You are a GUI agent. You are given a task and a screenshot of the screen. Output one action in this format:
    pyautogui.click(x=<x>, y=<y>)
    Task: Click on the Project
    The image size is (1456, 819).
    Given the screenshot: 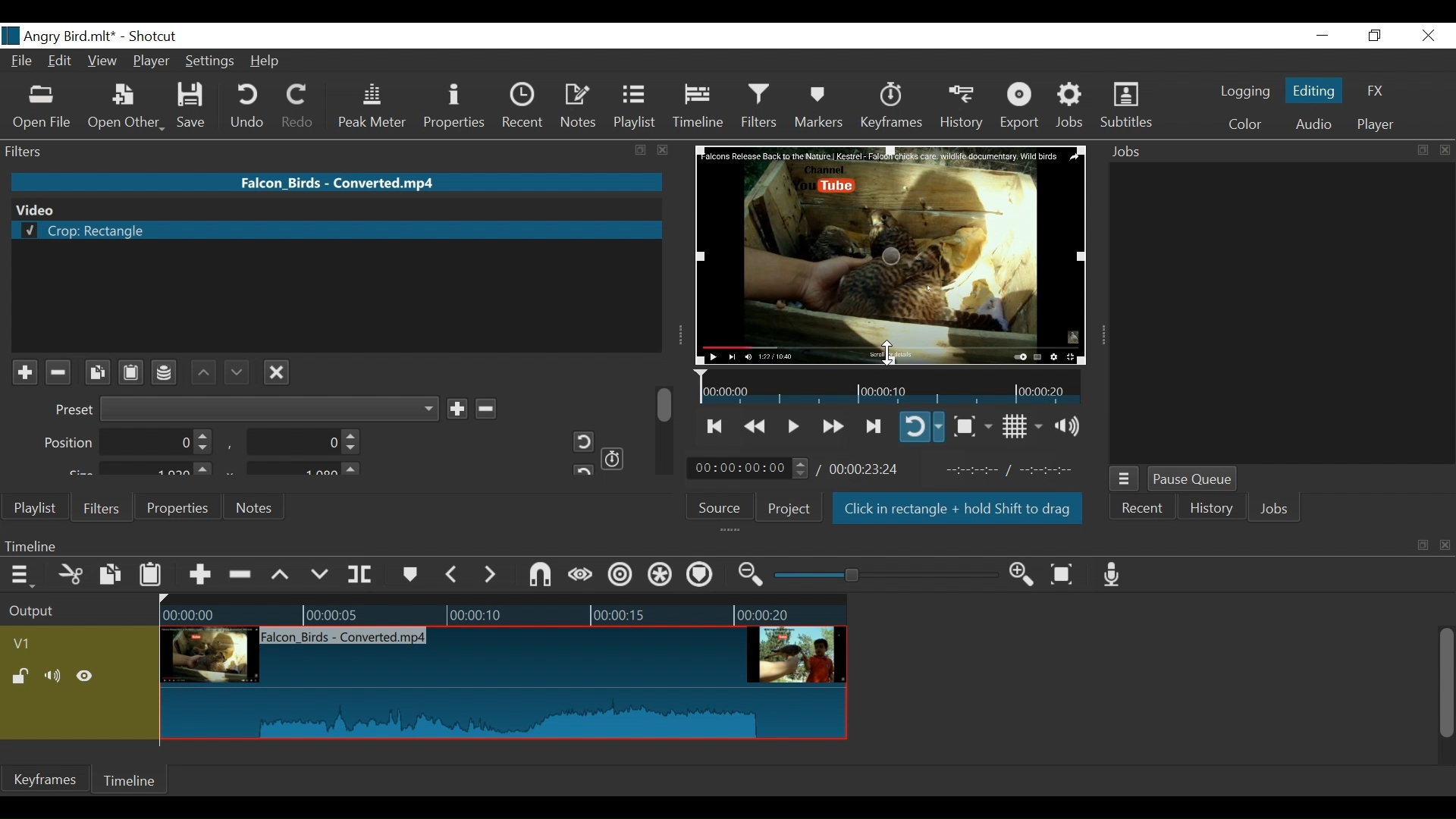 What is the action you would take?
    pyautogui.click(x=789, y=508)
    